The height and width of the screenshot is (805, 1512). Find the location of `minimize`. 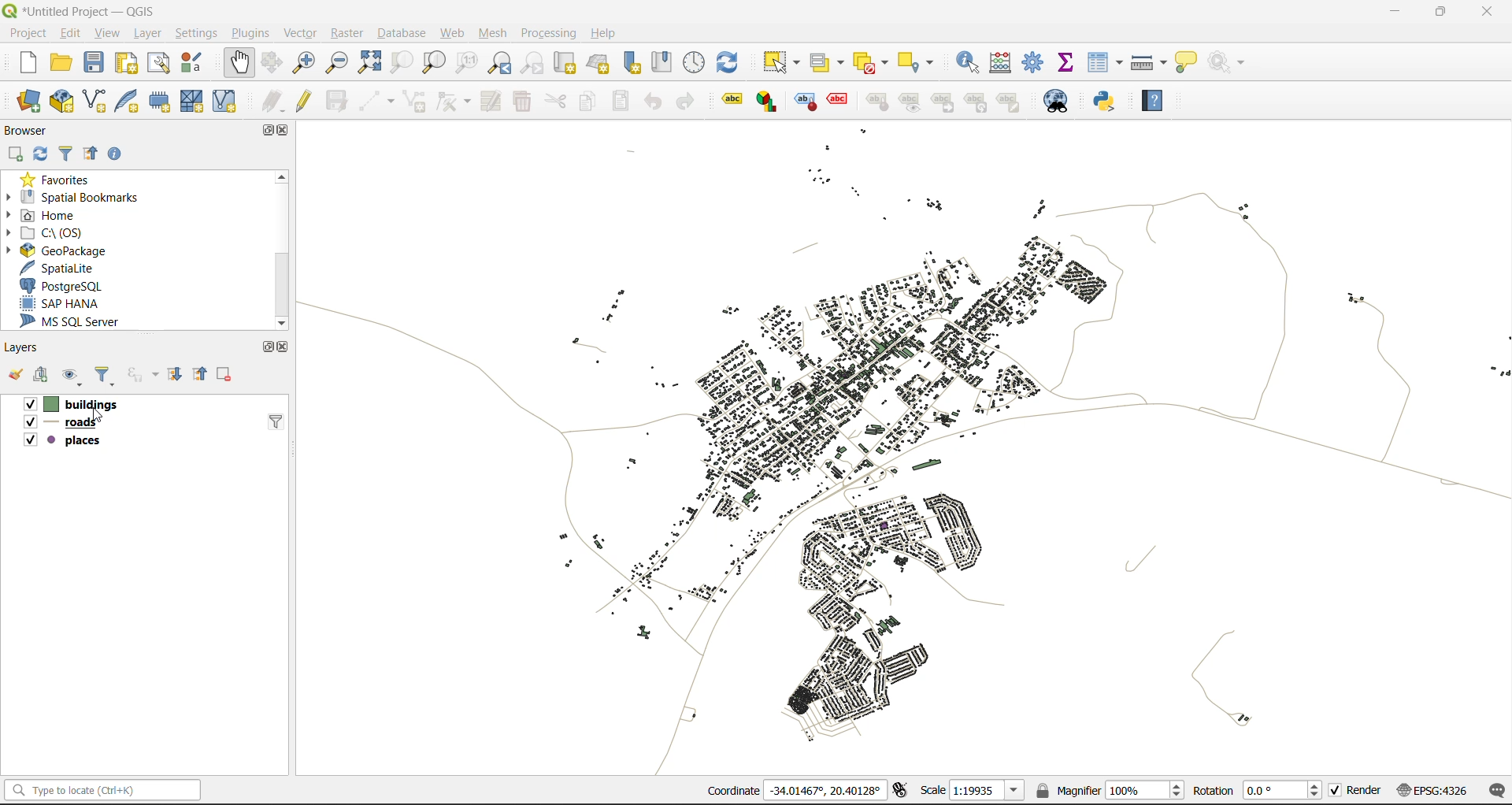

minimize is located at coordinates (1390, 15).